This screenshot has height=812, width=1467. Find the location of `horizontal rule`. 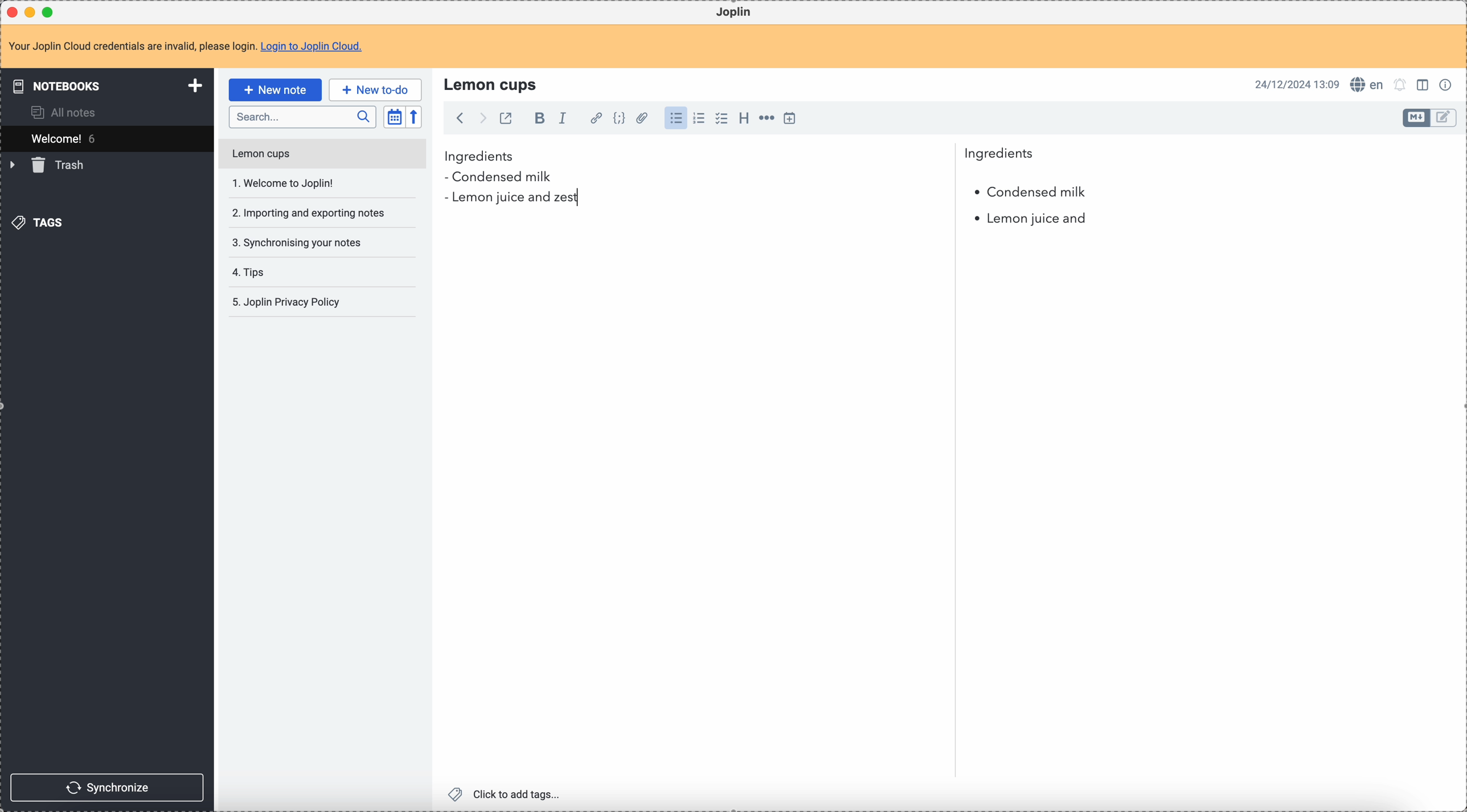

horizontal rule is located at coordinates (765, 120).